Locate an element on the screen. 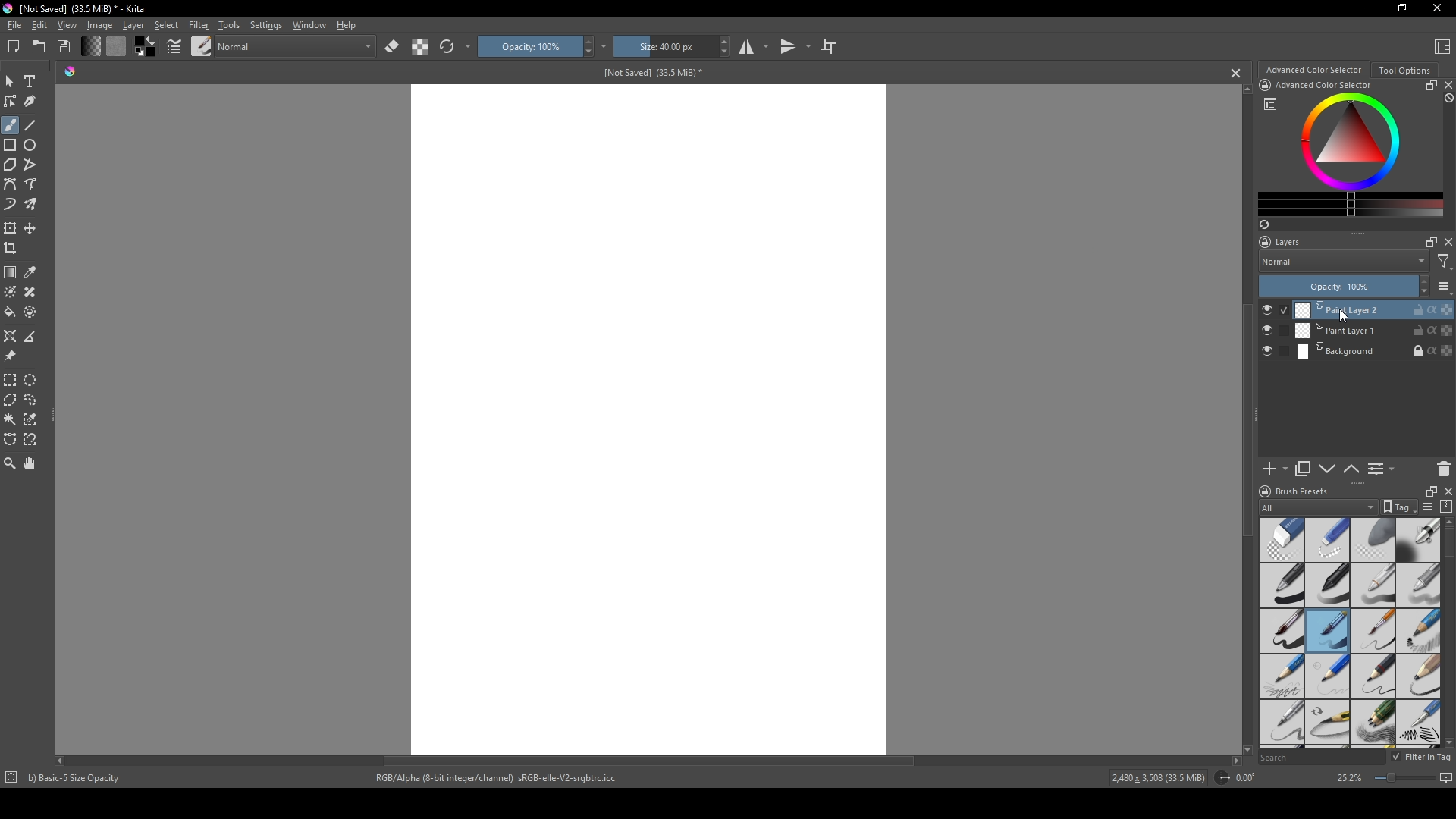  check button is located at coordinates (1274, 309).